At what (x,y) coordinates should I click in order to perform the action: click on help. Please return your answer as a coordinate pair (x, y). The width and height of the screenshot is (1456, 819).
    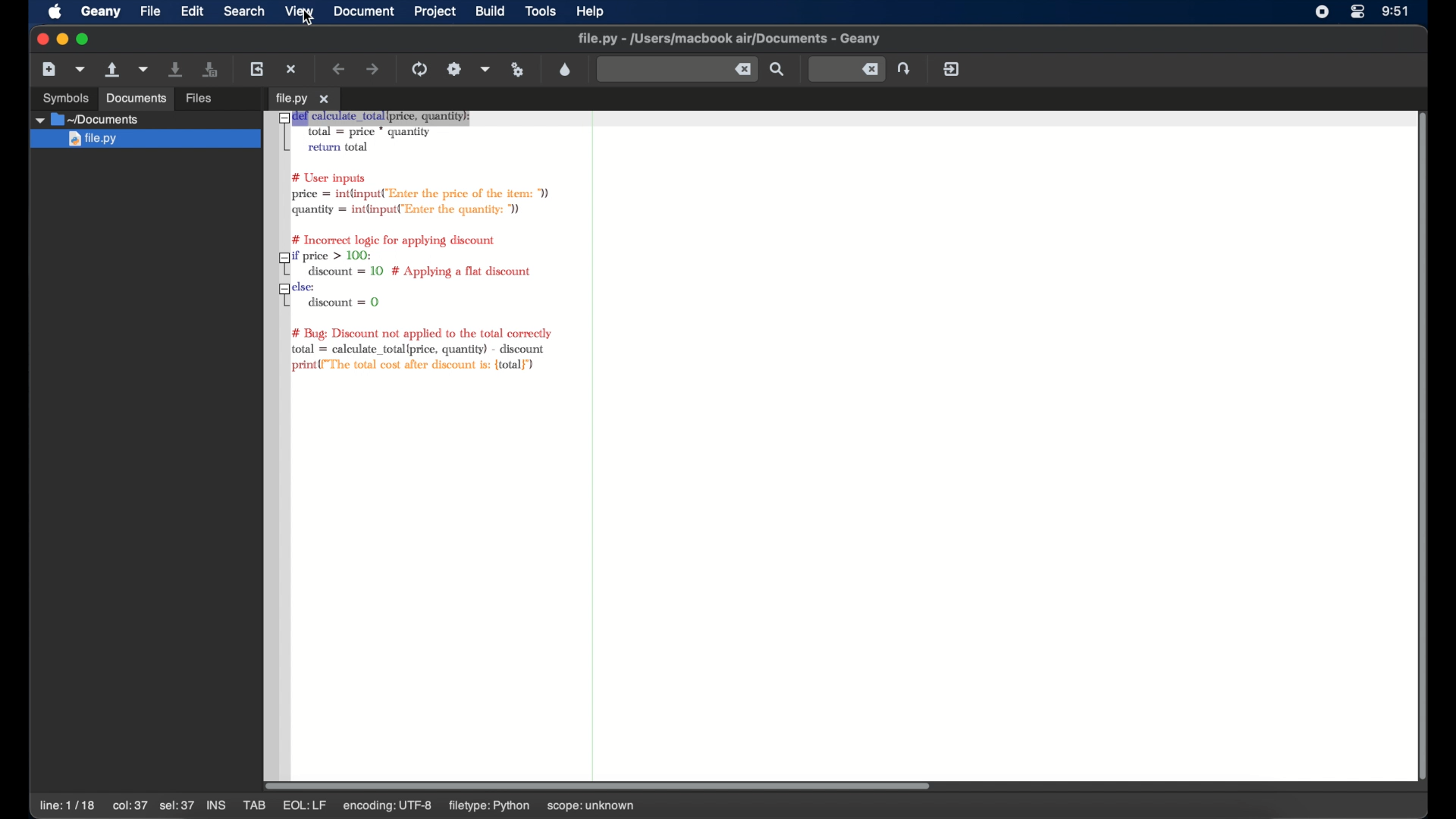
    Looking at the image, I should click on (591, 12).